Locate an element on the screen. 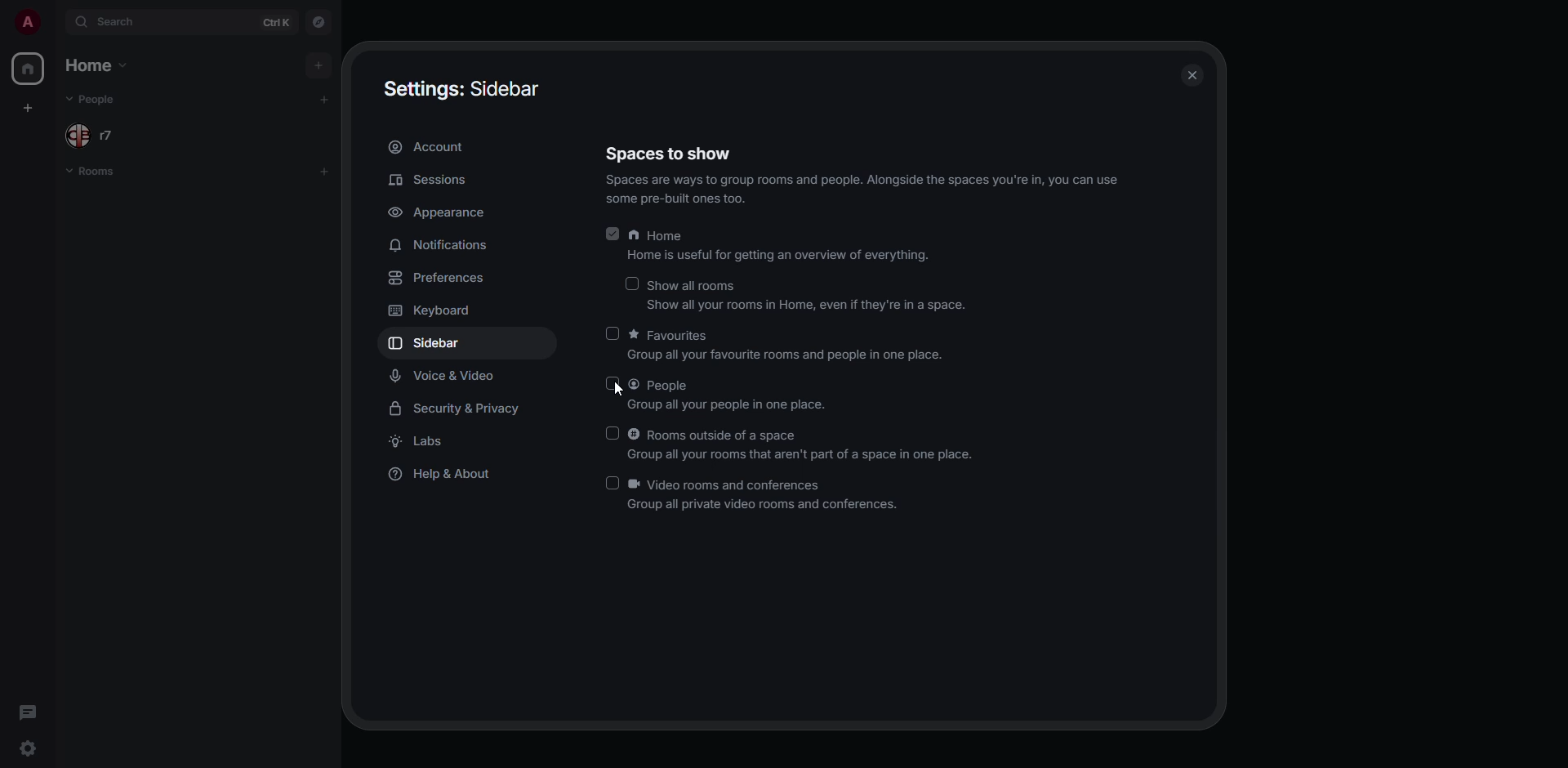  add is located at coordinates (321, 63).